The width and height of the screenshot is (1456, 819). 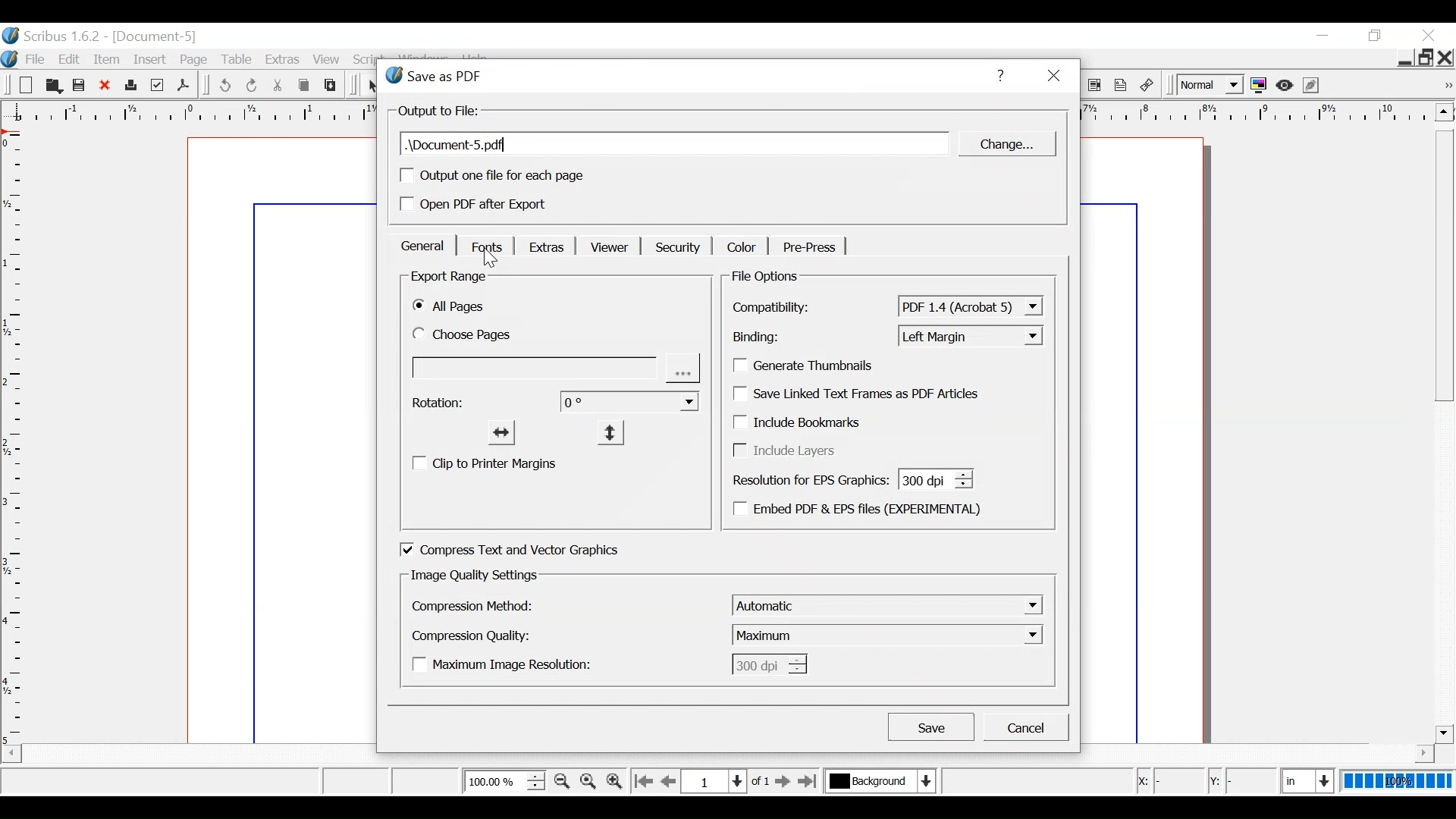 What do you see at coordinates (422, 246) in the screenshot?
I see `General` at bounding box center [422, 246].